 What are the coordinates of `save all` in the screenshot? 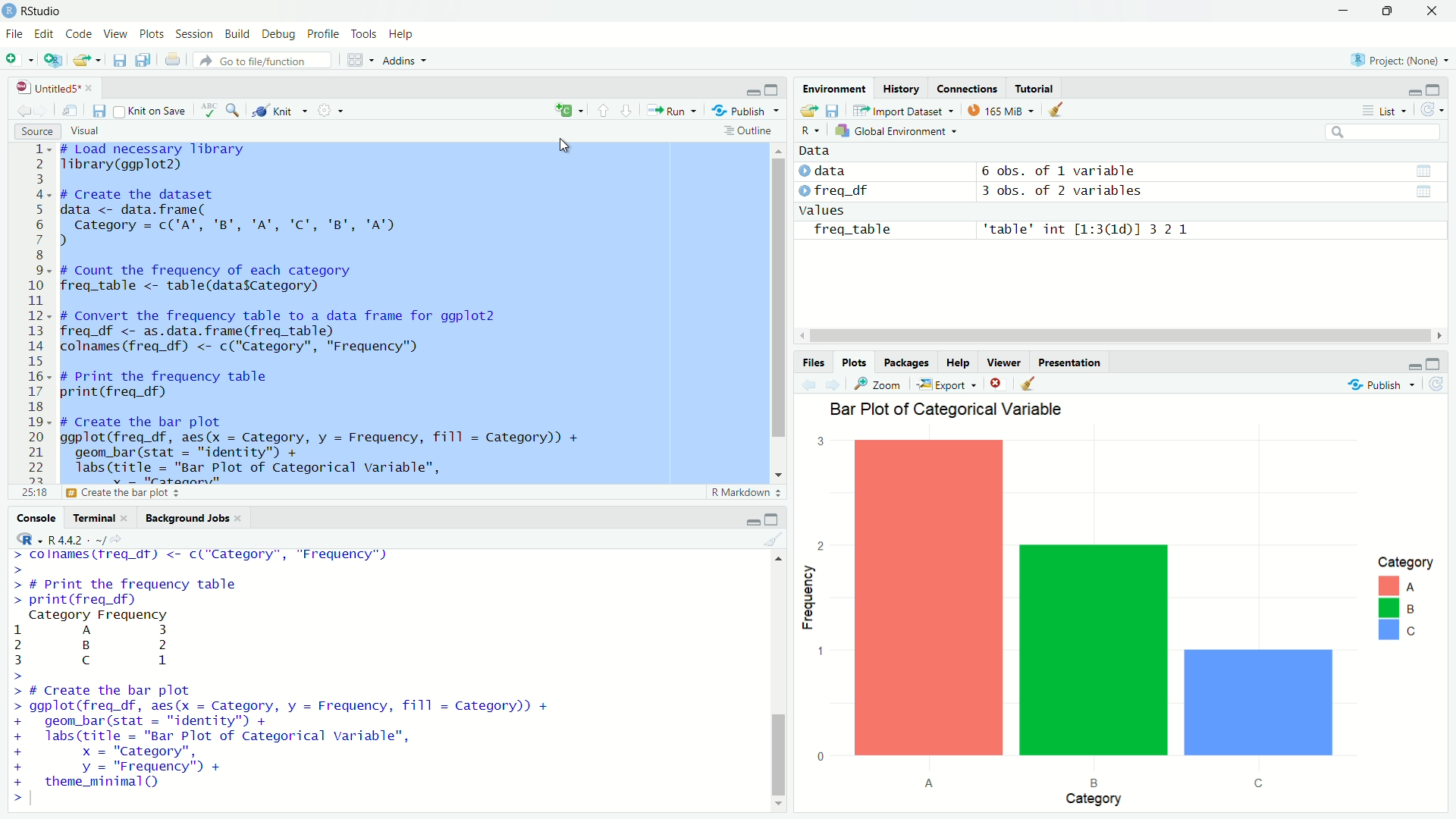 It's located at (146, 60).